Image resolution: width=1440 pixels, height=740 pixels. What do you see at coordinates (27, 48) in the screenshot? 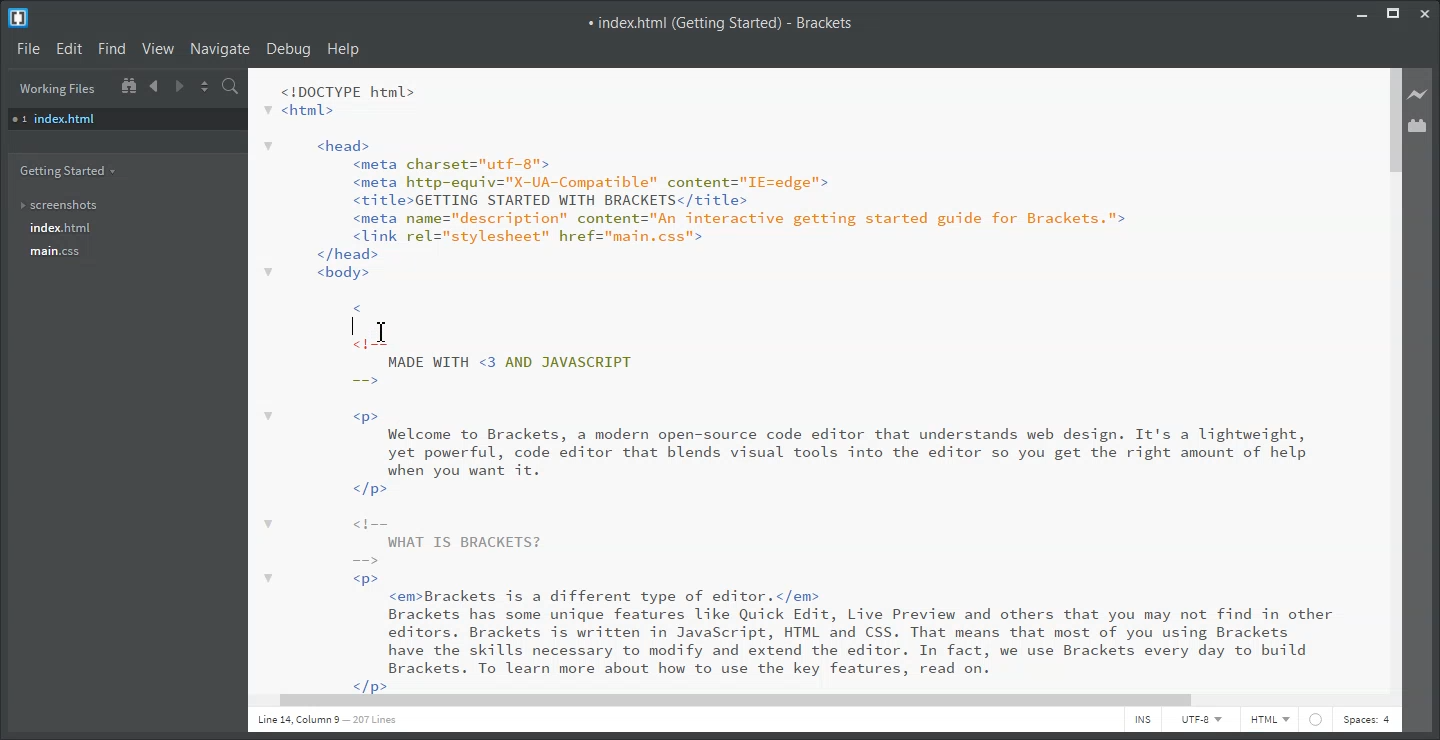
I see `File` at bounding box center [27, 48].